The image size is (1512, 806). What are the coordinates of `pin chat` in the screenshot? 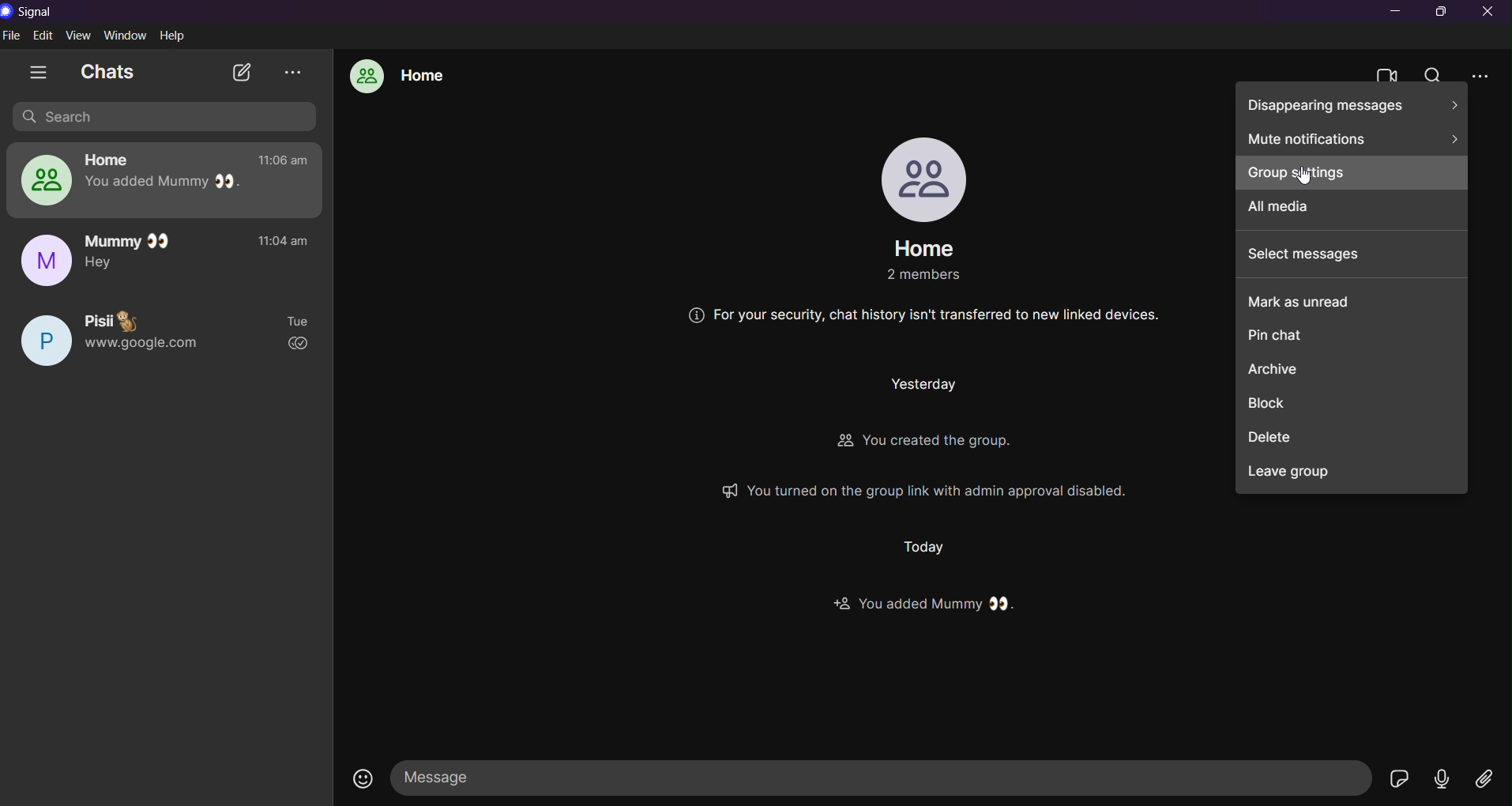 It's located at (1354, 337).